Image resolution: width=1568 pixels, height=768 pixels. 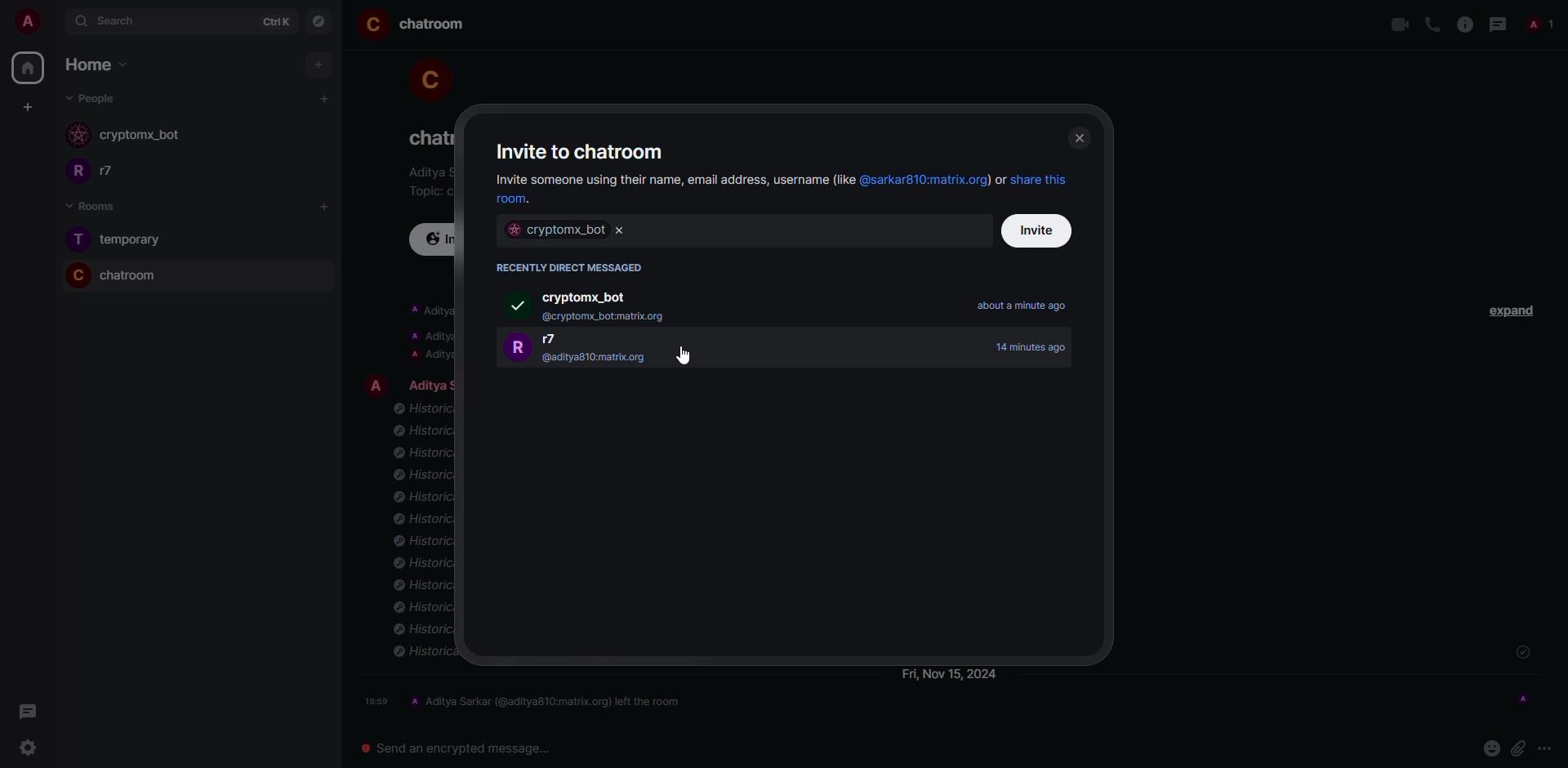 I want to click on navigator, so click(x=320, y=22).